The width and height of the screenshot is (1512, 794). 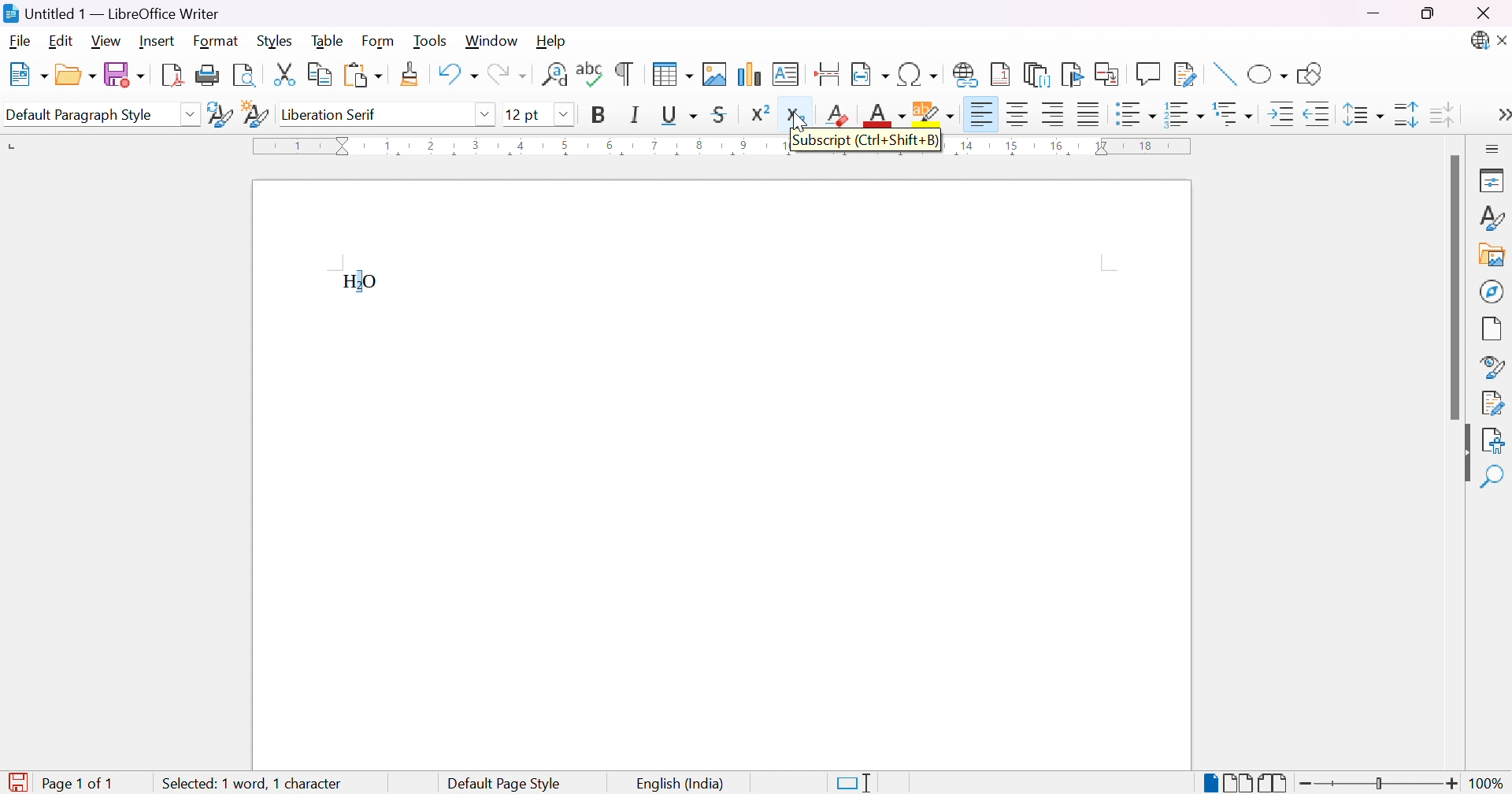 I want to click on Set line spacing, so click(x=1360, y=115).